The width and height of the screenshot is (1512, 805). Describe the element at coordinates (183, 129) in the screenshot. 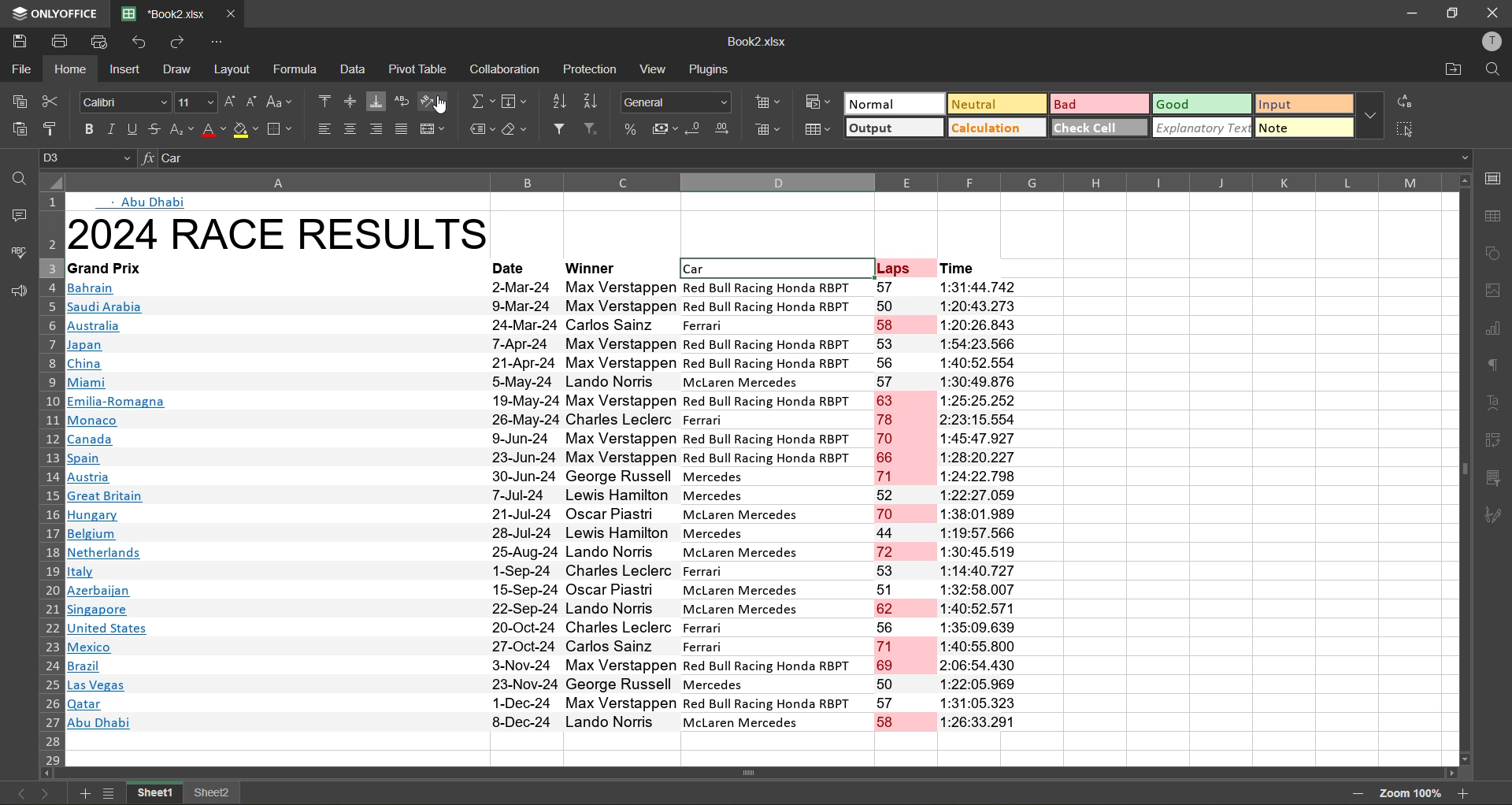

I see `sub\superscript` at that location.